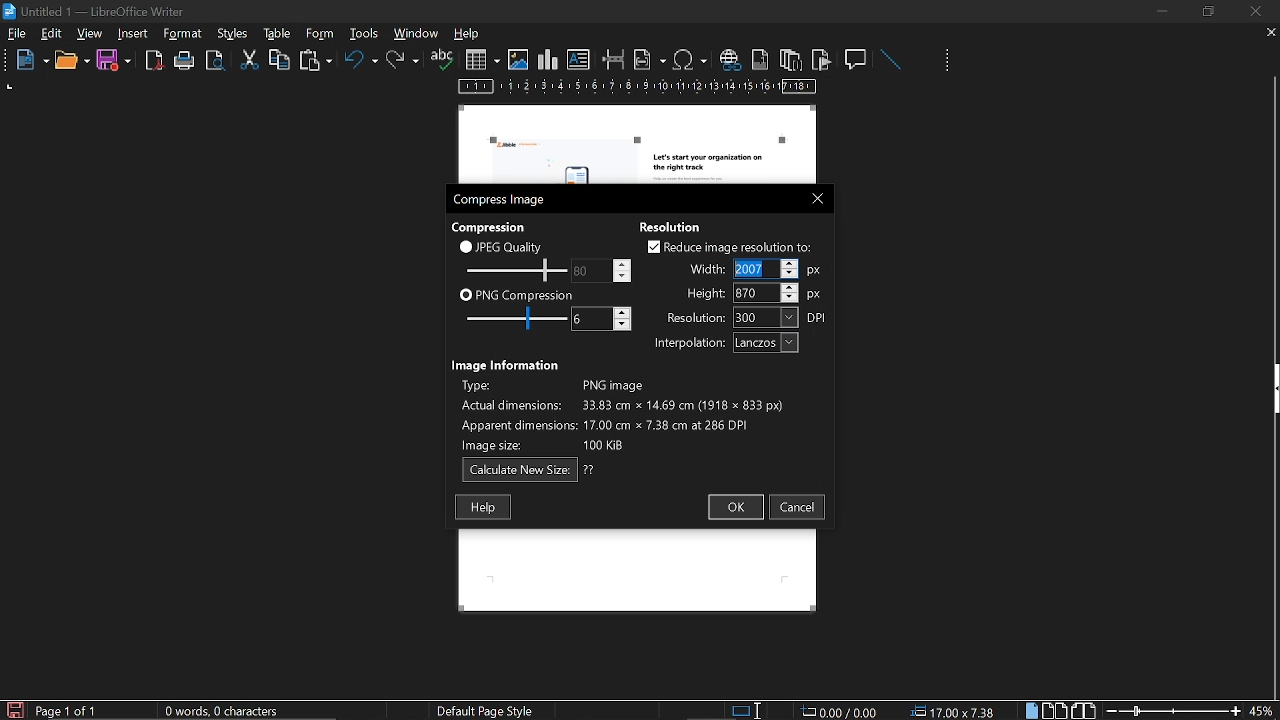  I want to click on position, so click(956, 711).